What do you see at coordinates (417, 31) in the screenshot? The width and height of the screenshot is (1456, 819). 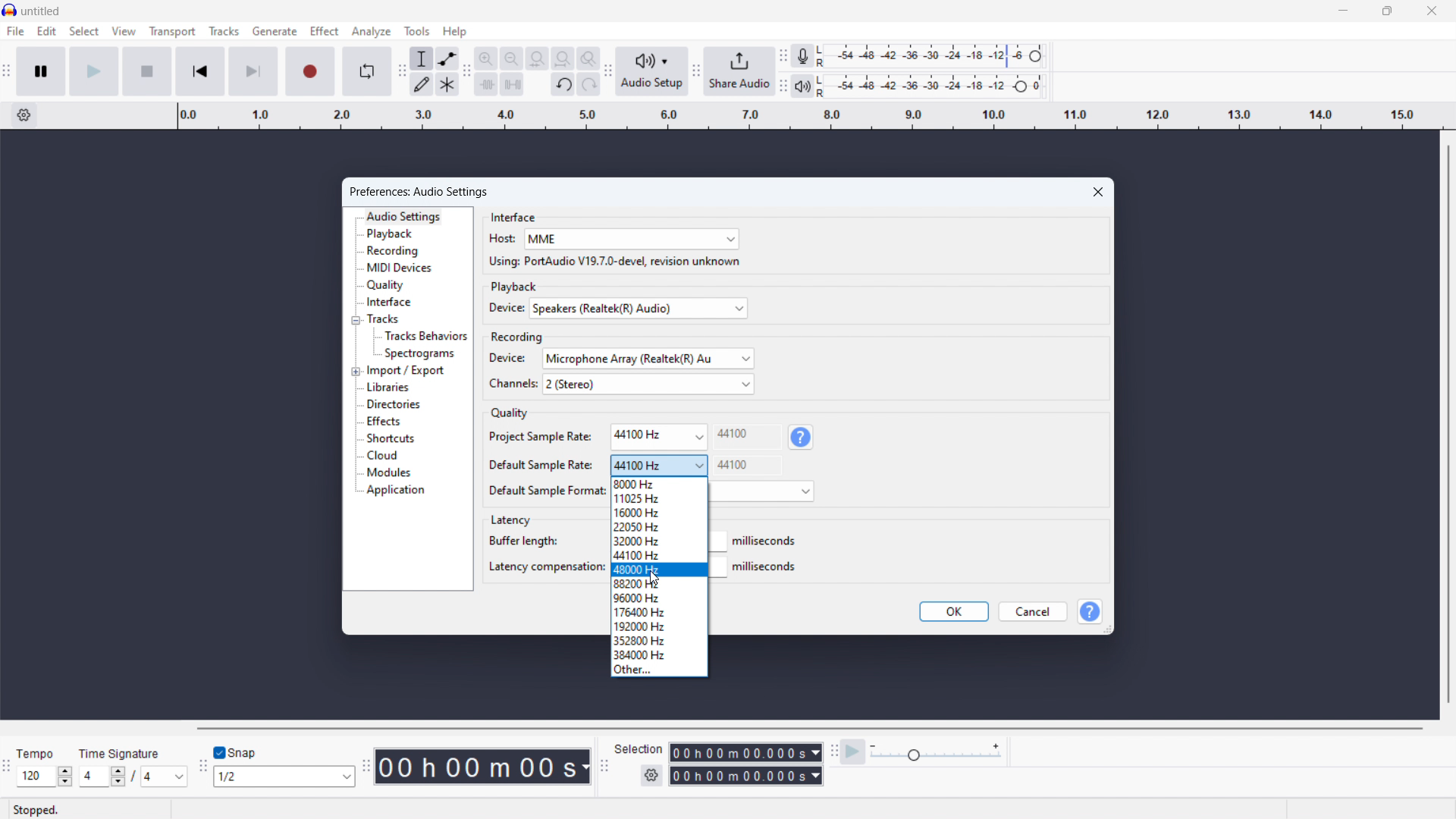 I see `tools` at bounding box center [417, 31].